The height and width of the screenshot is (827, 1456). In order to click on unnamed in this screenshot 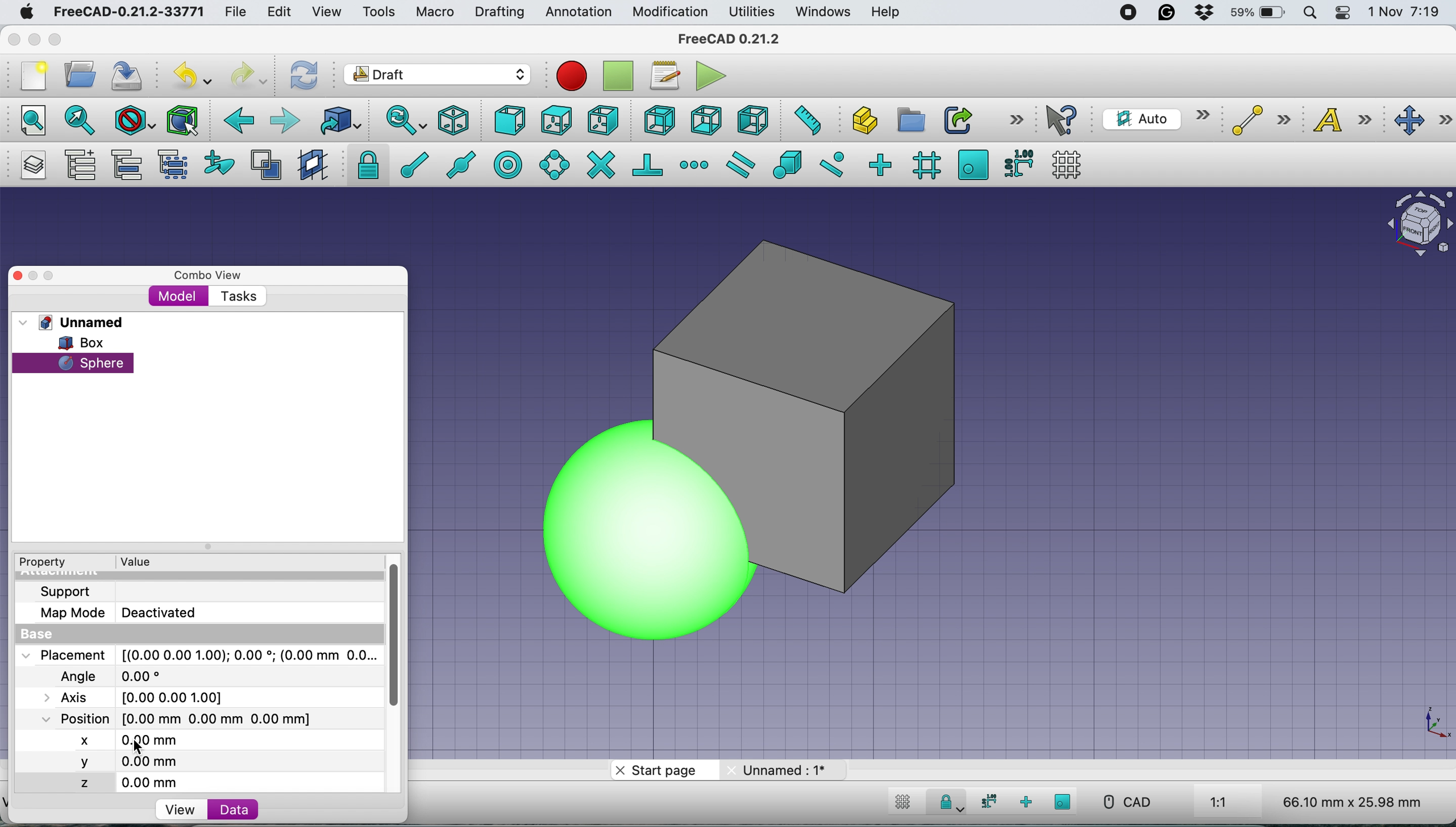, I will do `click(781, 770)`.